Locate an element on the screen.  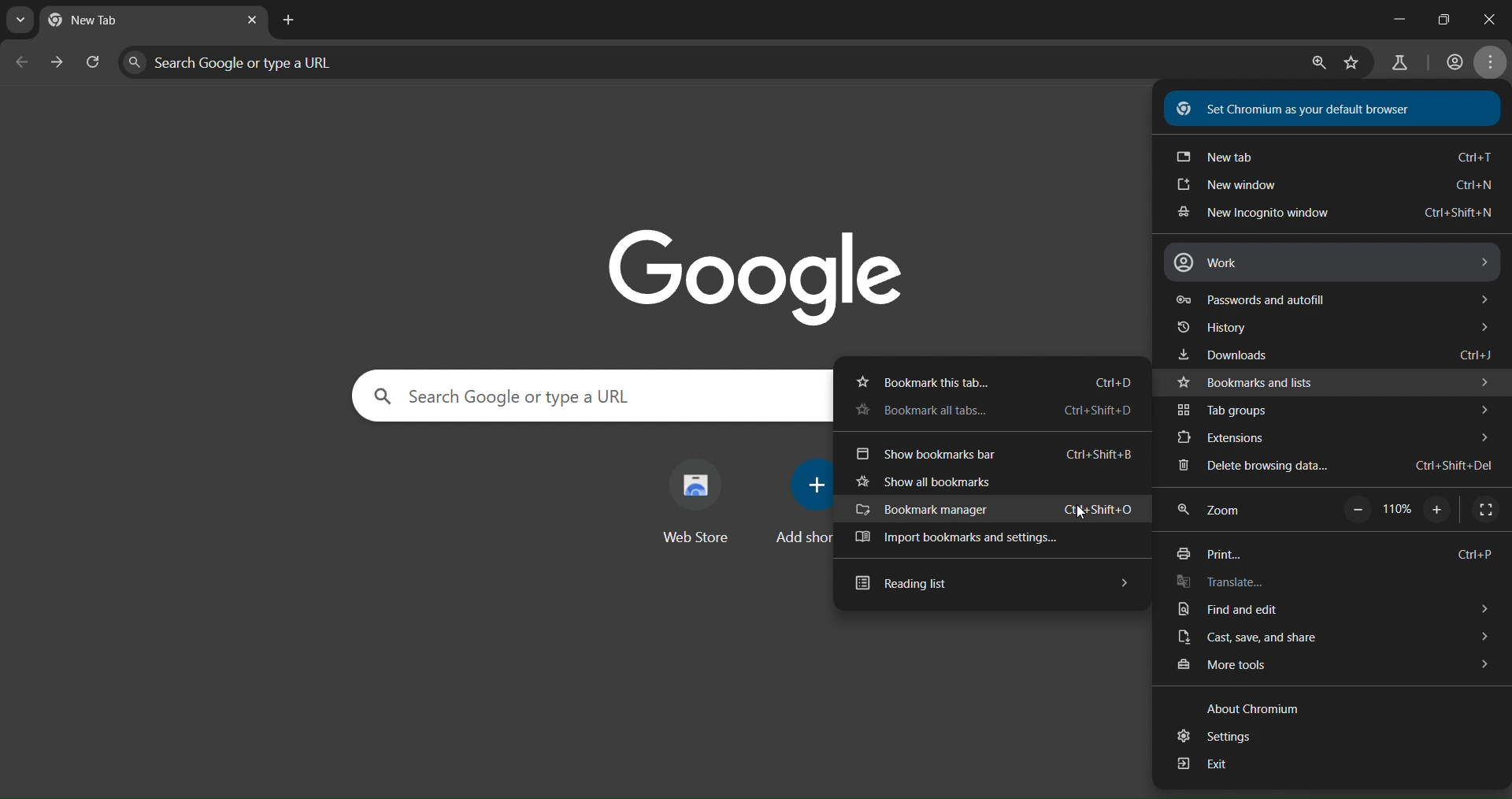
bookmark manager is located at coordinates (999, 507).